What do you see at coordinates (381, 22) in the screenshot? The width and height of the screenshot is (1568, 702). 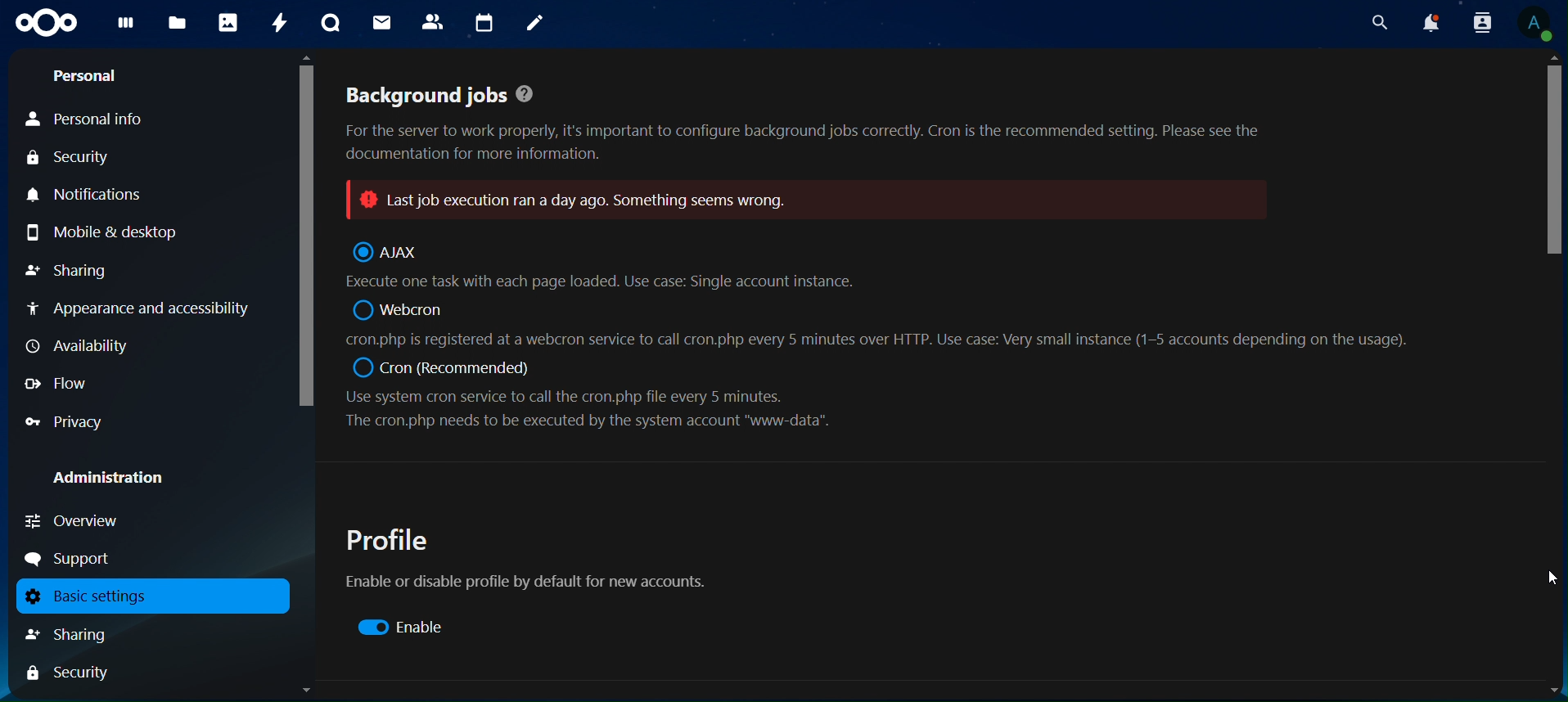 I see `mail` at bounding box center [381, 22].